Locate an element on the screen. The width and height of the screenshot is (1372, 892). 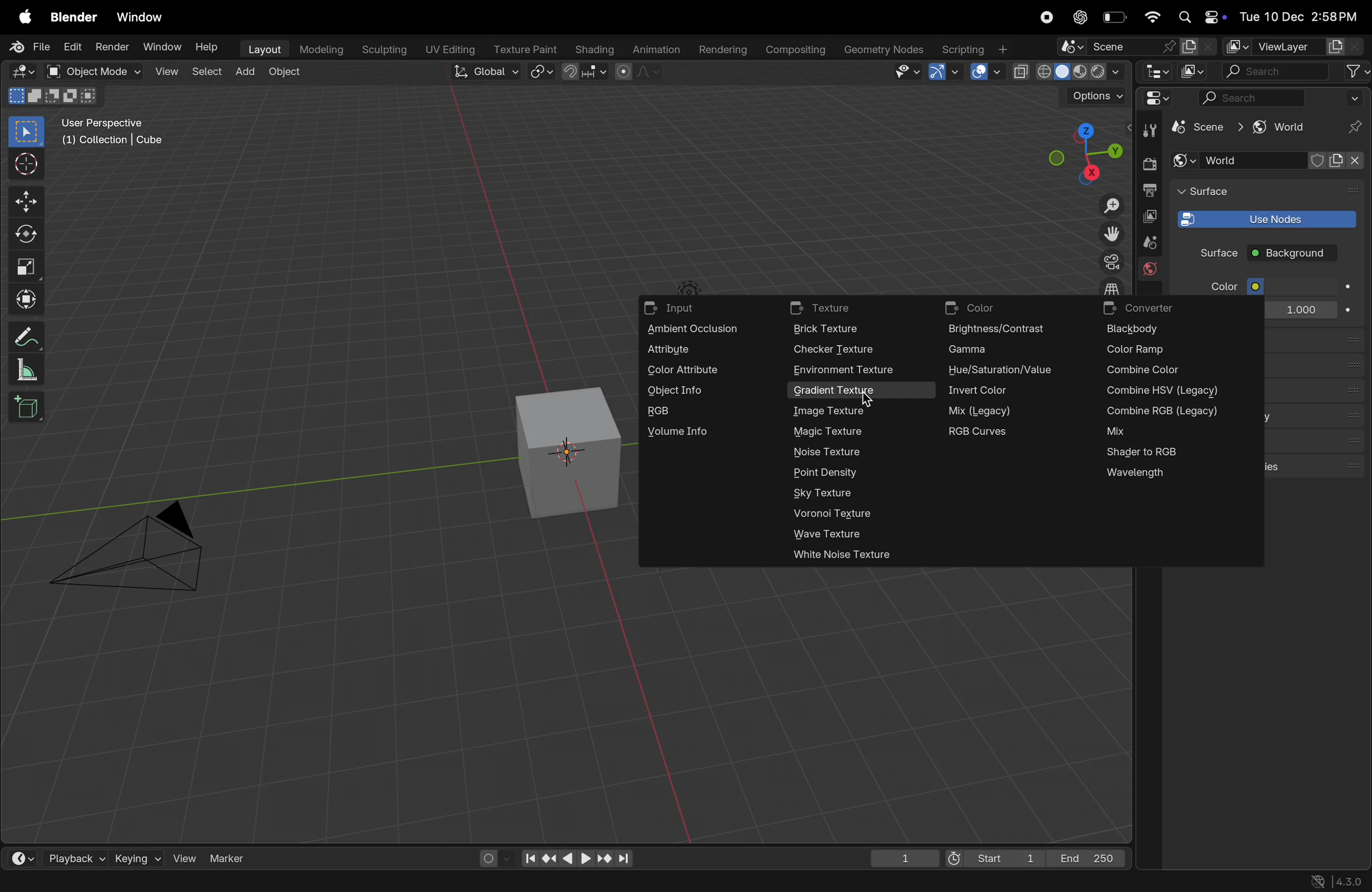
camera is located at coordinates (137, 552).